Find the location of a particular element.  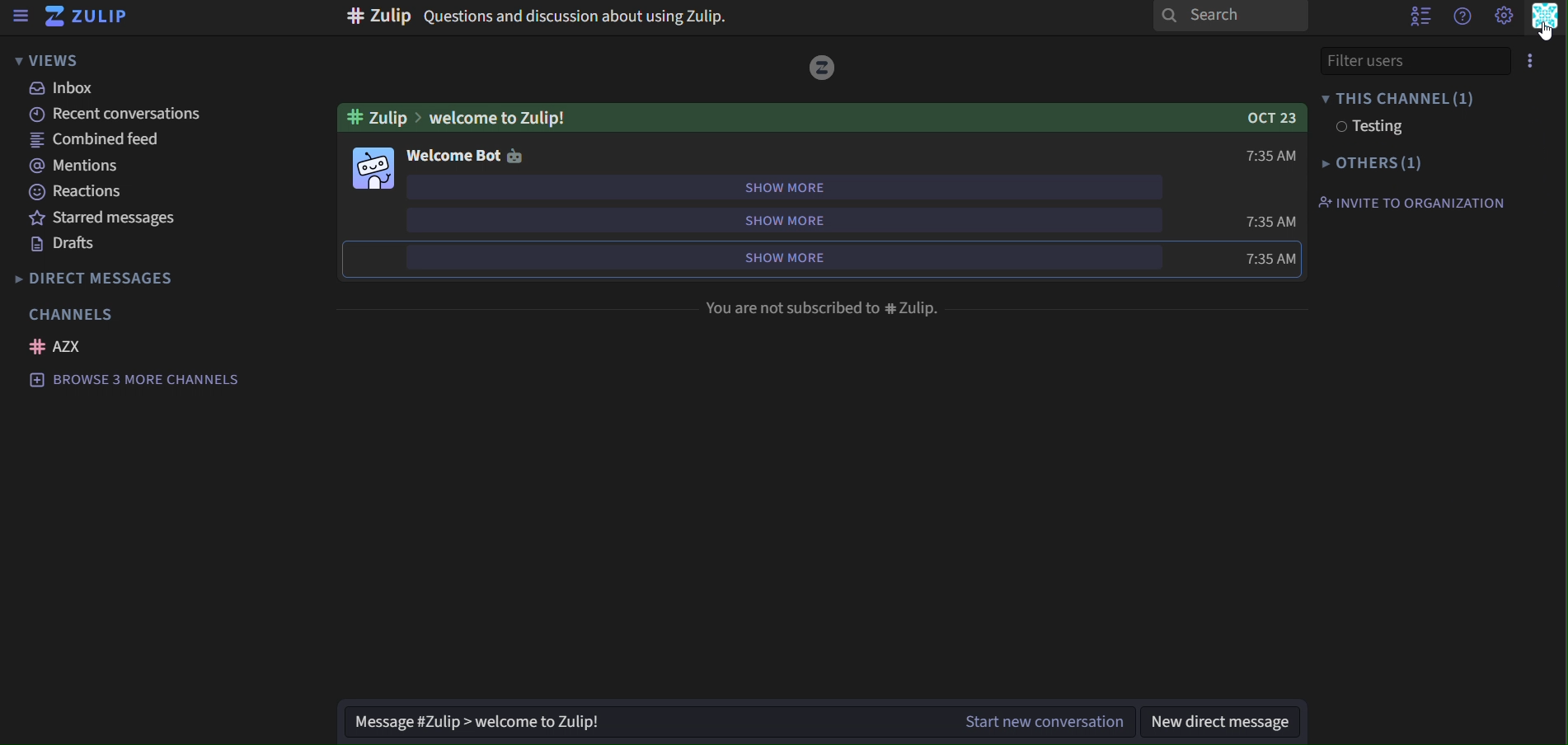

search is located at coordinates (1226, 21).